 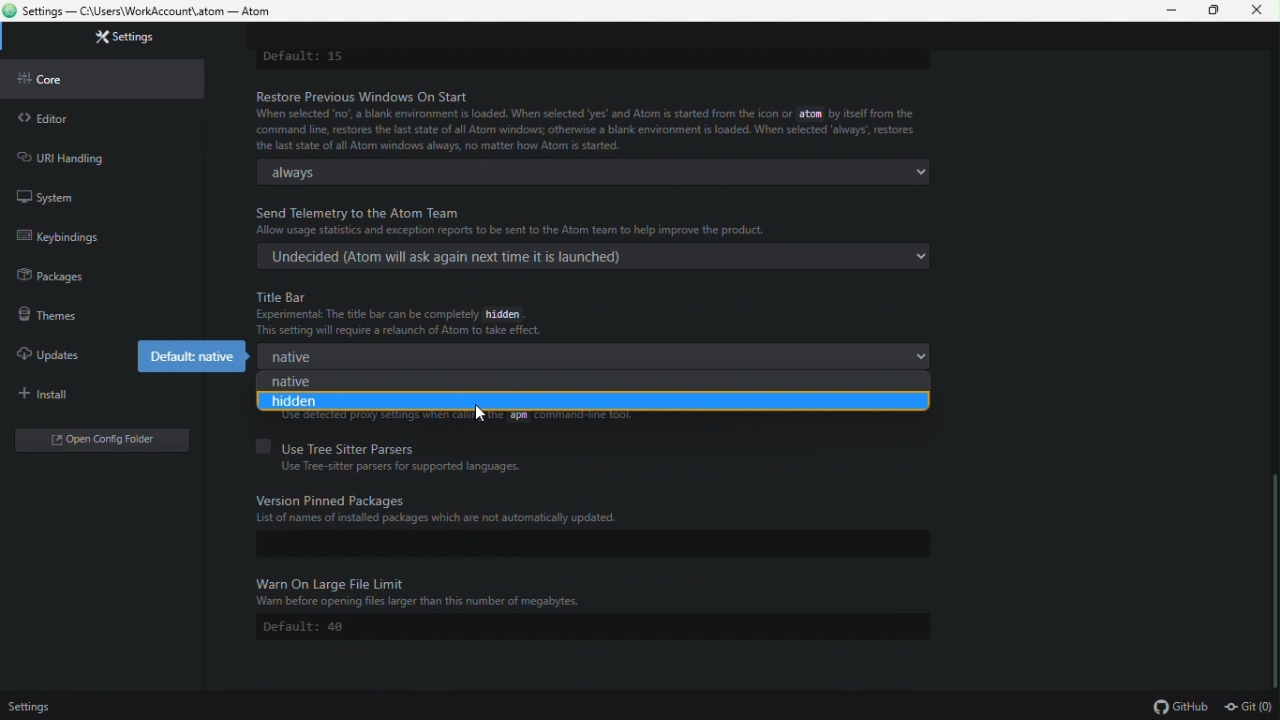 What do you see at coordinates (100, 312) in the screenshot?
I see `themes` at bounding box center [100, 312].